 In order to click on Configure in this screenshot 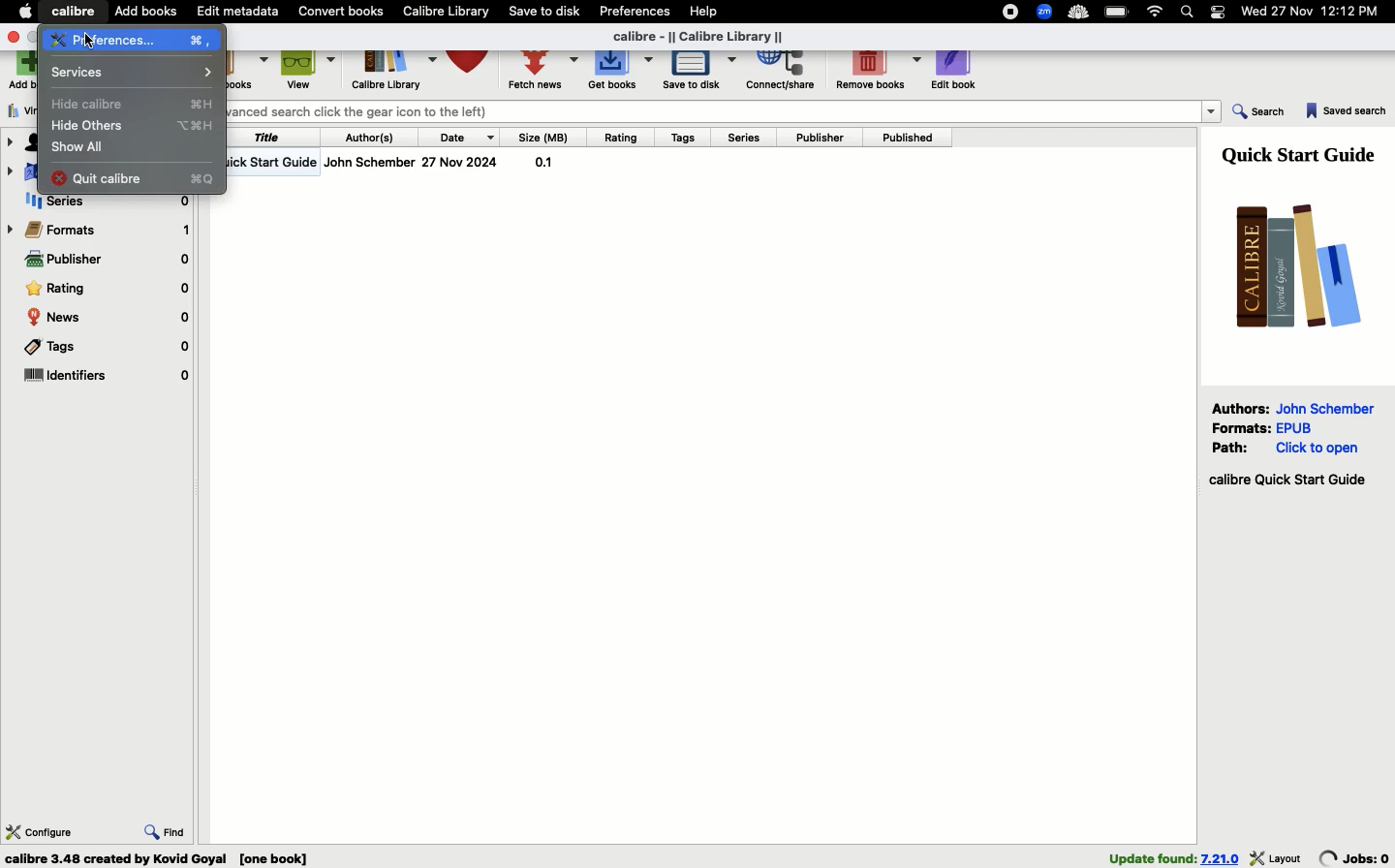, I will do `click(40, 830)`.